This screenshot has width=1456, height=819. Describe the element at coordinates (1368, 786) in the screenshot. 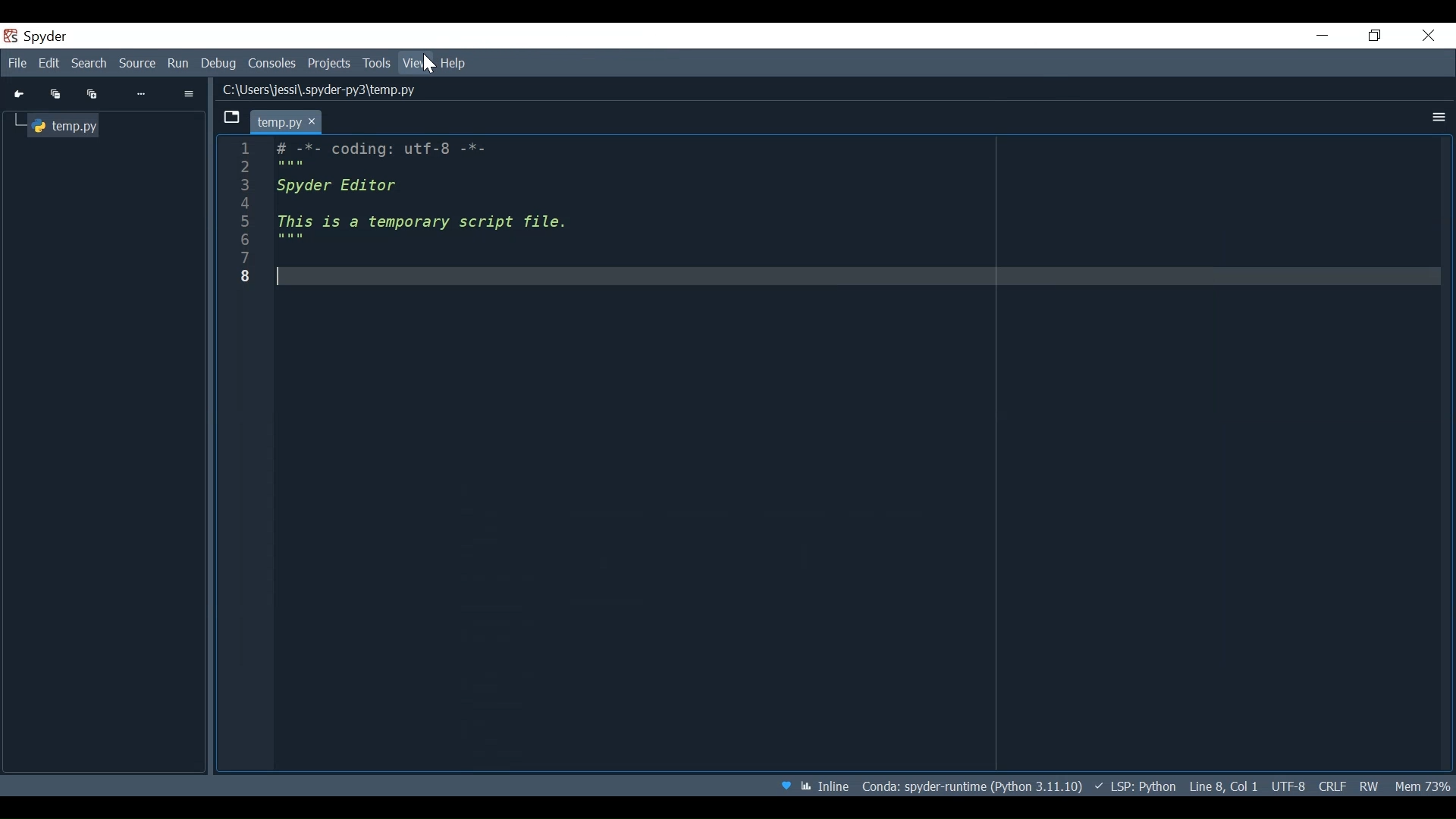

I see `File Permissions` at that location.